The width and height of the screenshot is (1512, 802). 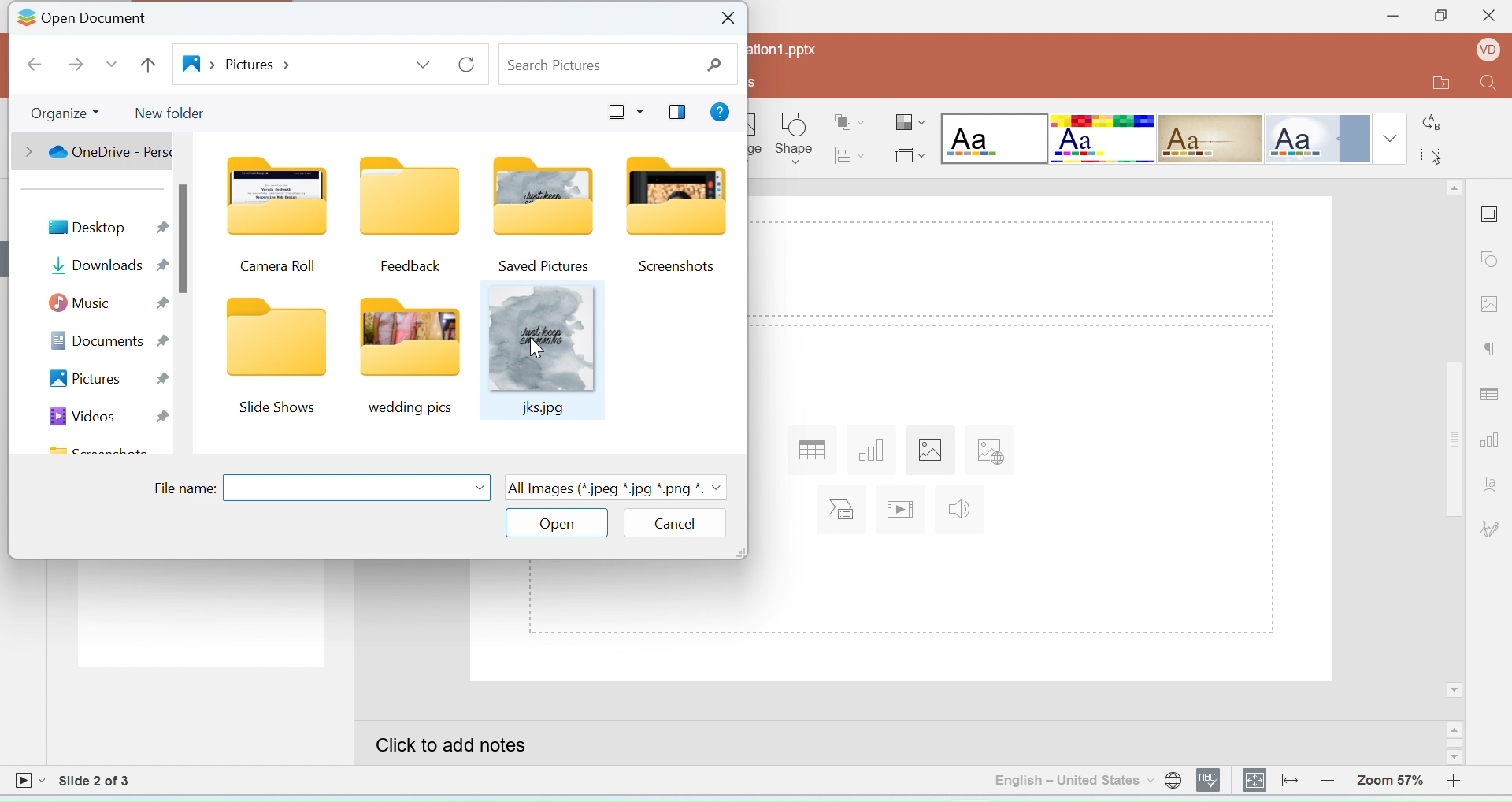 What do you see at coordinates (239, 64) in the screenshot?
I see `current location` at bounding box center [239, 64].